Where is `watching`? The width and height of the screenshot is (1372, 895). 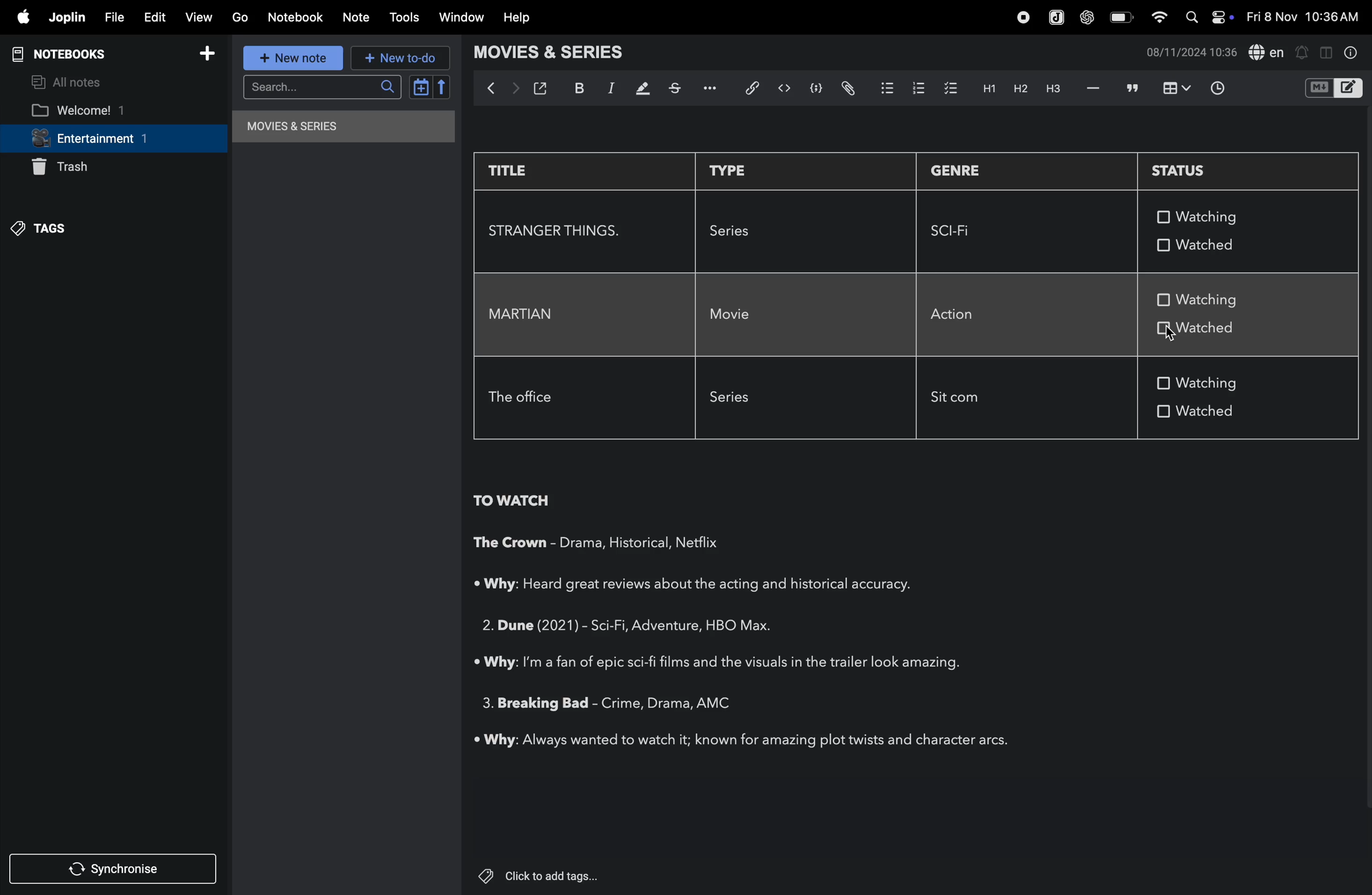
watching is located at coordinates (1215, 300).